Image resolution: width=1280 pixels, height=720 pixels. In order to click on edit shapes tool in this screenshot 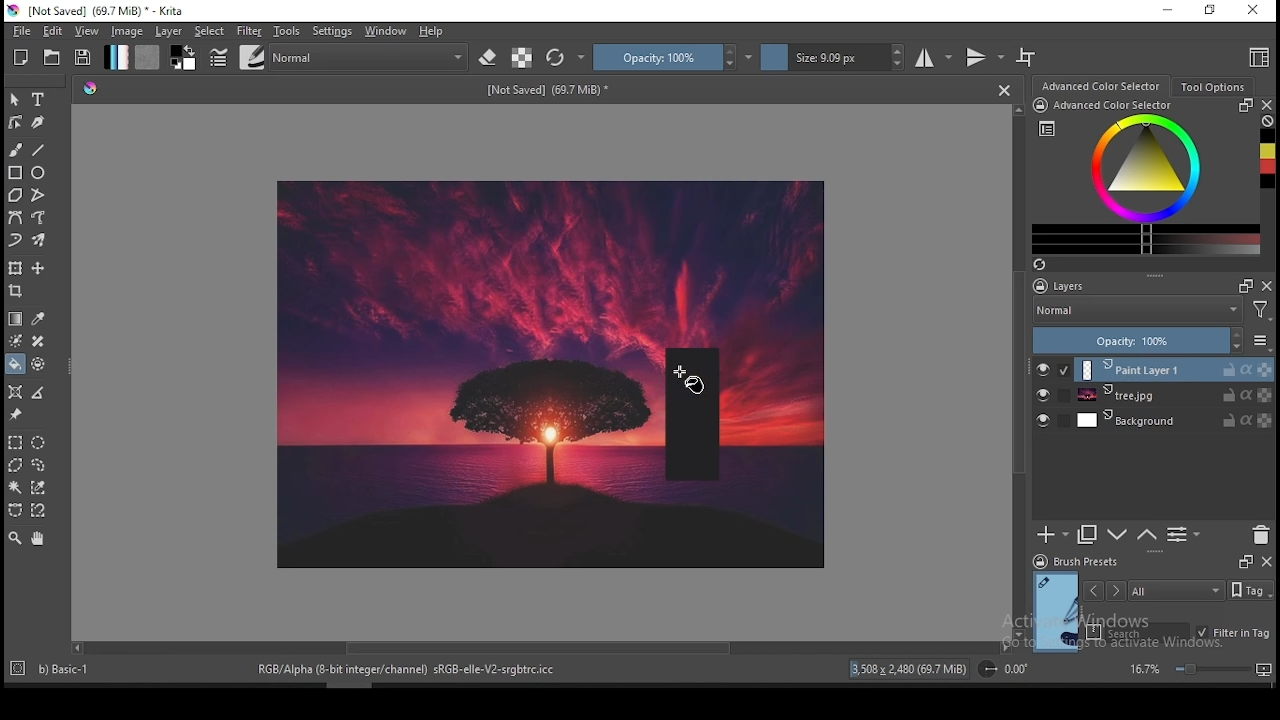, I will do `click(16, 121)`.